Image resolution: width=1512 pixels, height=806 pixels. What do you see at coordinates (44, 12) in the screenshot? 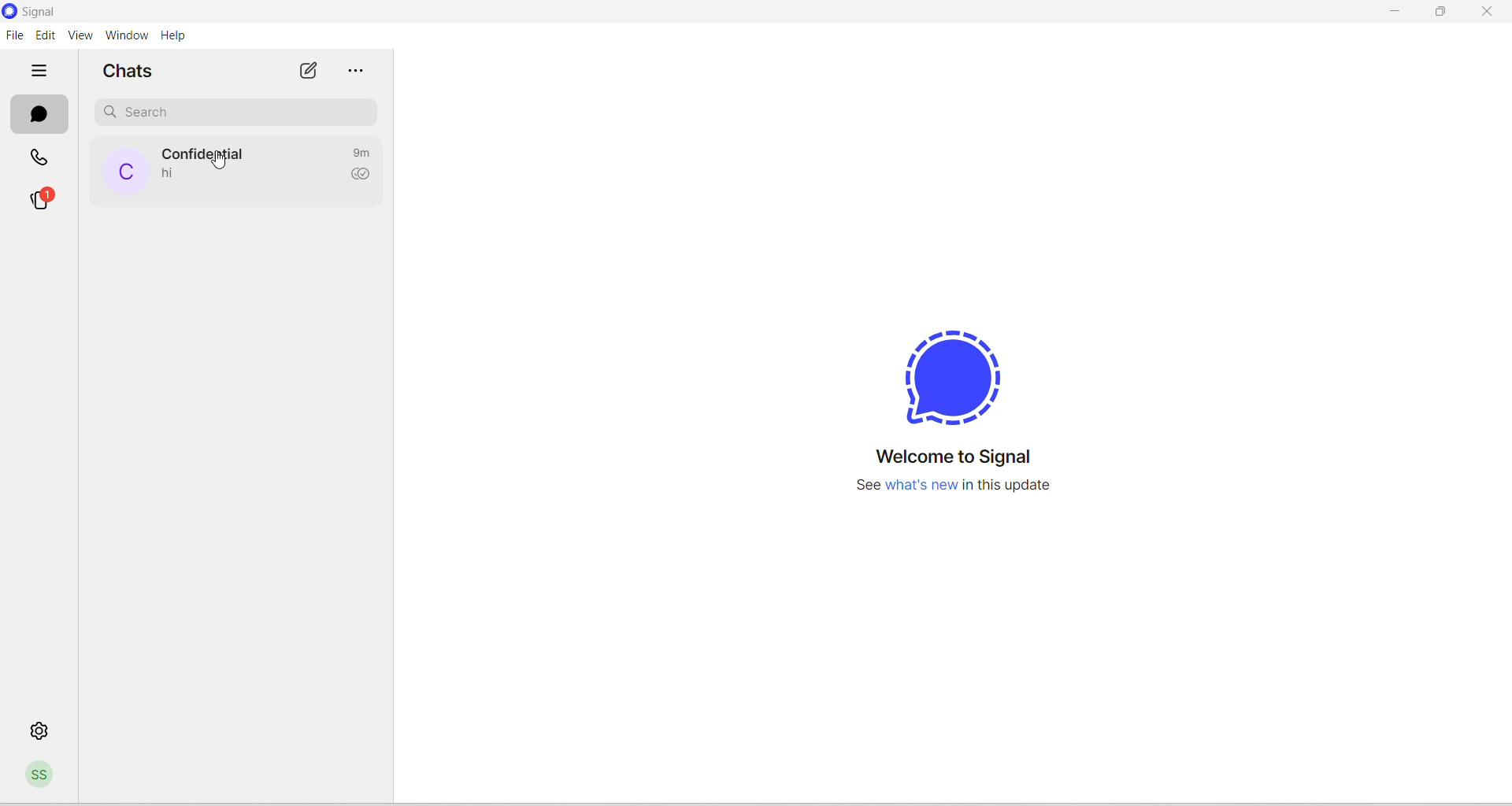
I see `Signal logo` at bounding box center [44, 12].